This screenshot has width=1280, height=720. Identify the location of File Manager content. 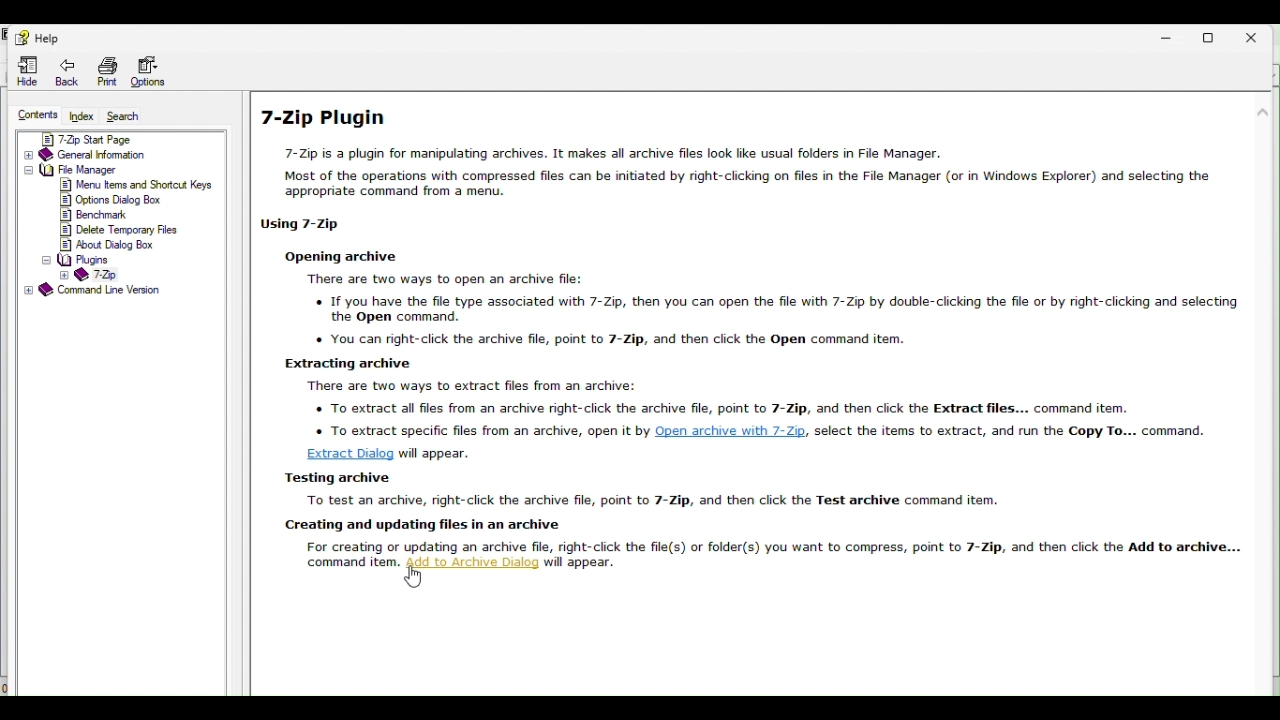
(91, 169).